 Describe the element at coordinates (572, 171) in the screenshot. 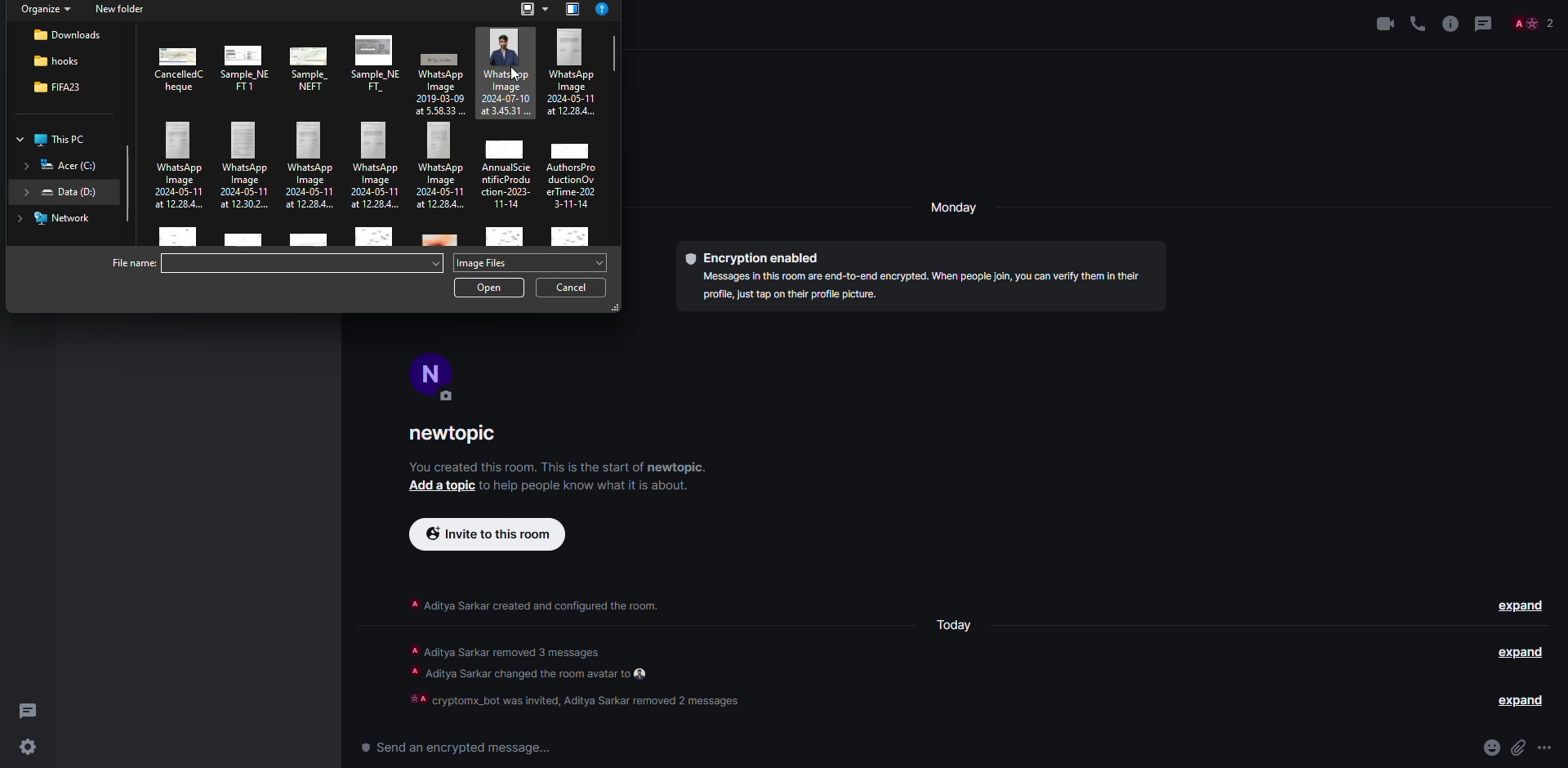

I see `click to select` at that location.